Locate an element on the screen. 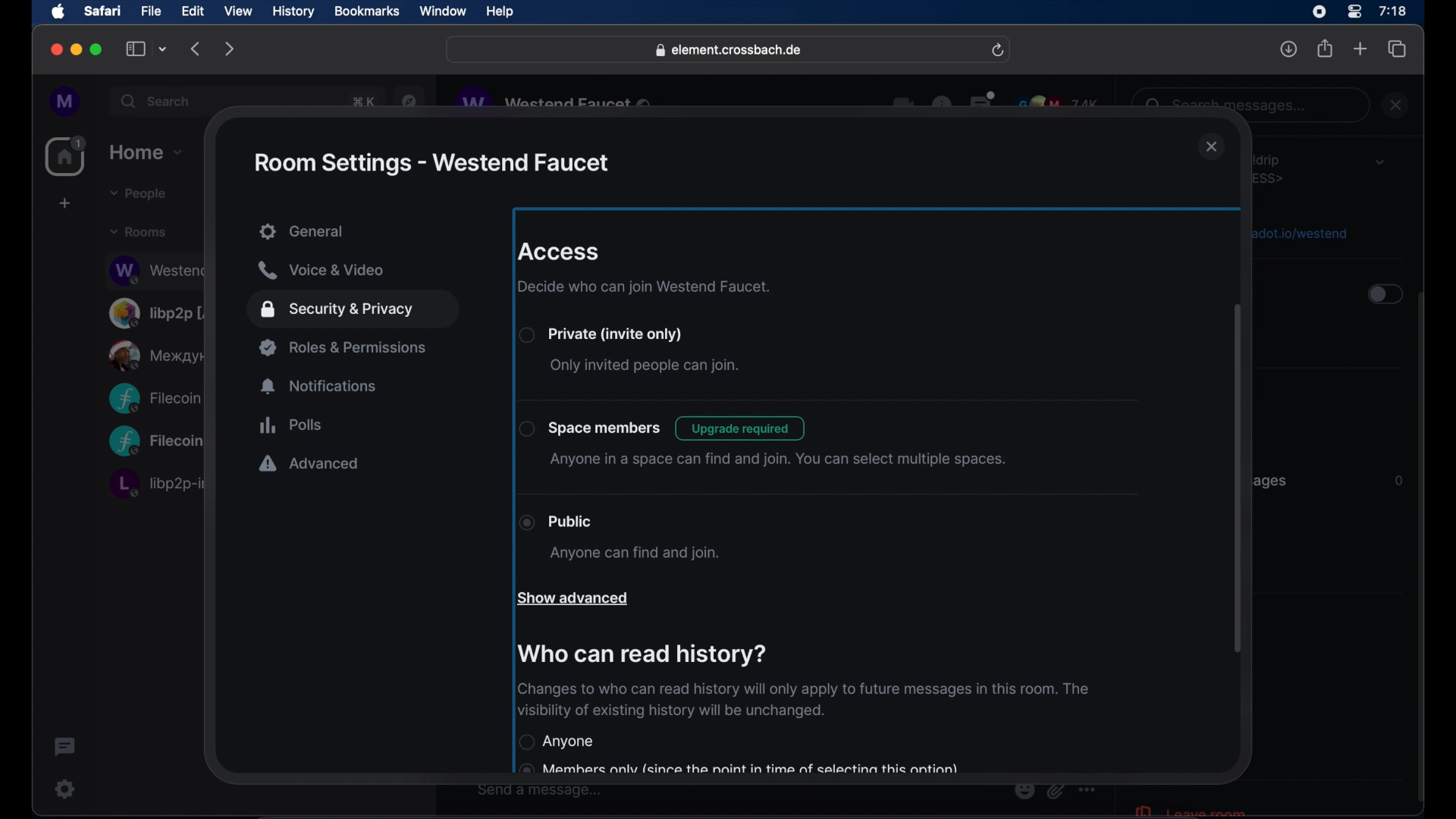  general is located at coordinates (355, 233).